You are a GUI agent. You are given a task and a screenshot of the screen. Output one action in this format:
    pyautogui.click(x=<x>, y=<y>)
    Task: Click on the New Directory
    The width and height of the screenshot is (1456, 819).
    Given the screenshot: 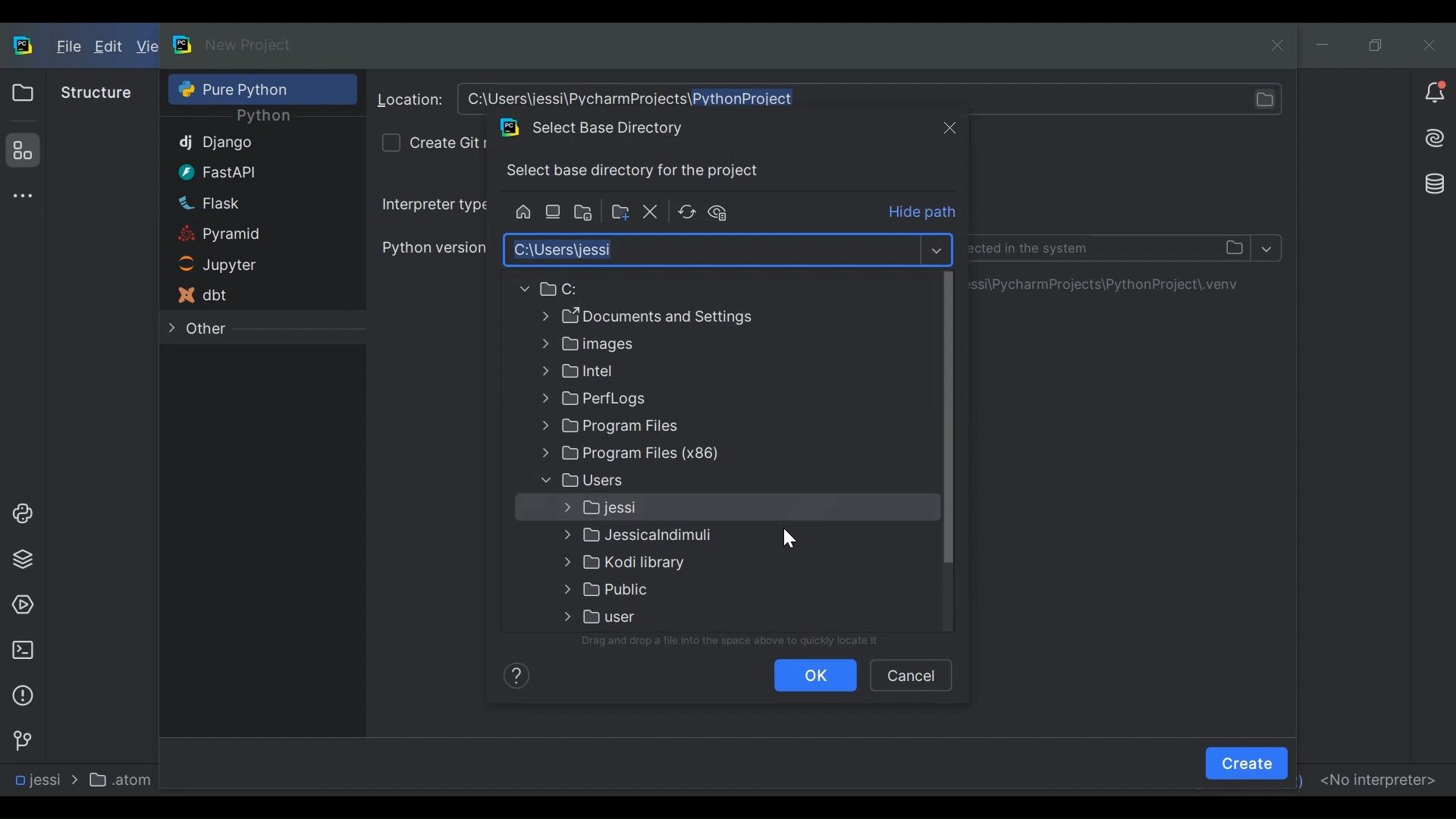 What is the action you would take?
    pyautogui.click(x=619, y=212)
    